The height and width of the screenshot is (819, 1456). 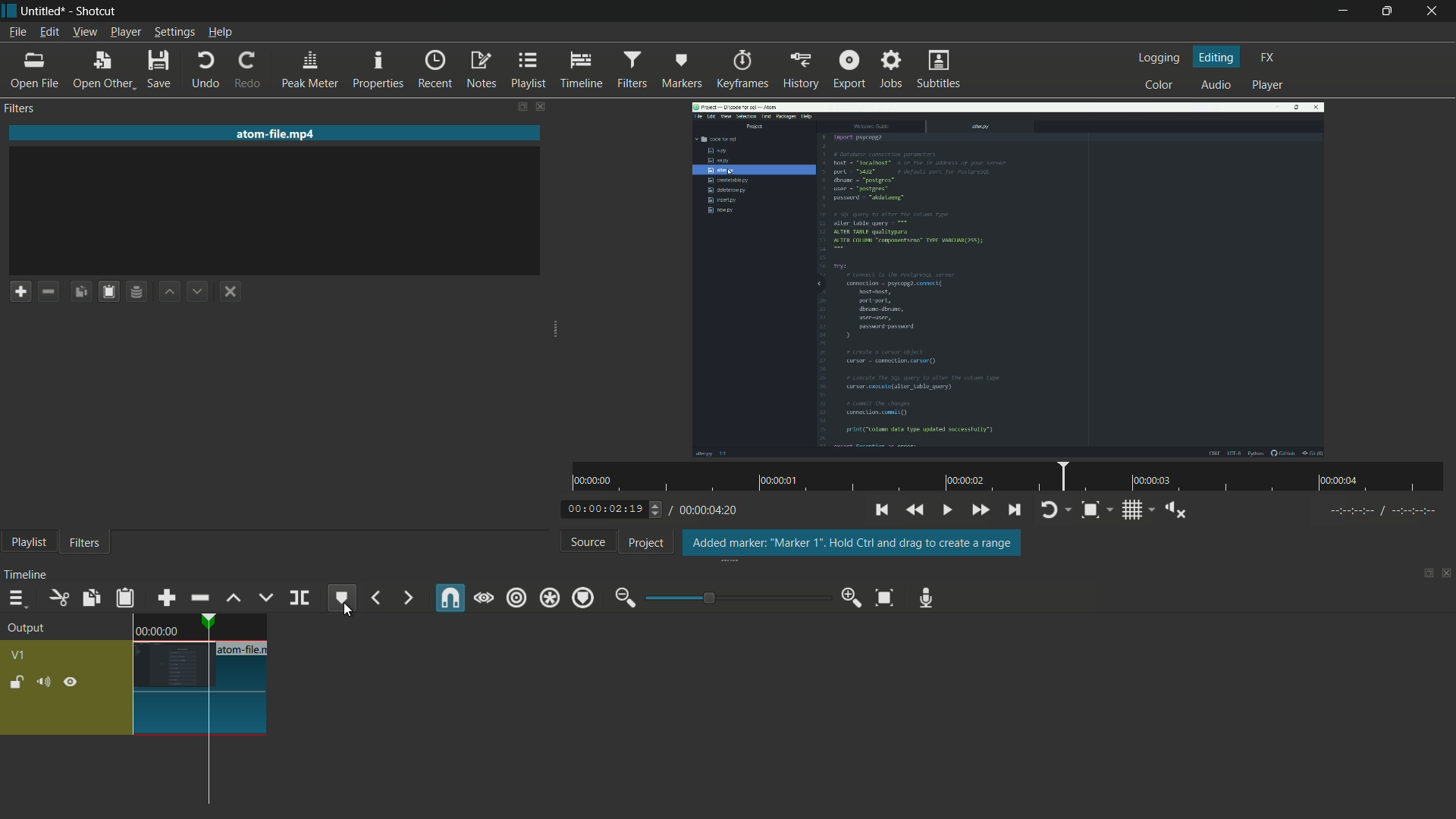 I want to click on move filter up, so click(x=168, y=292).